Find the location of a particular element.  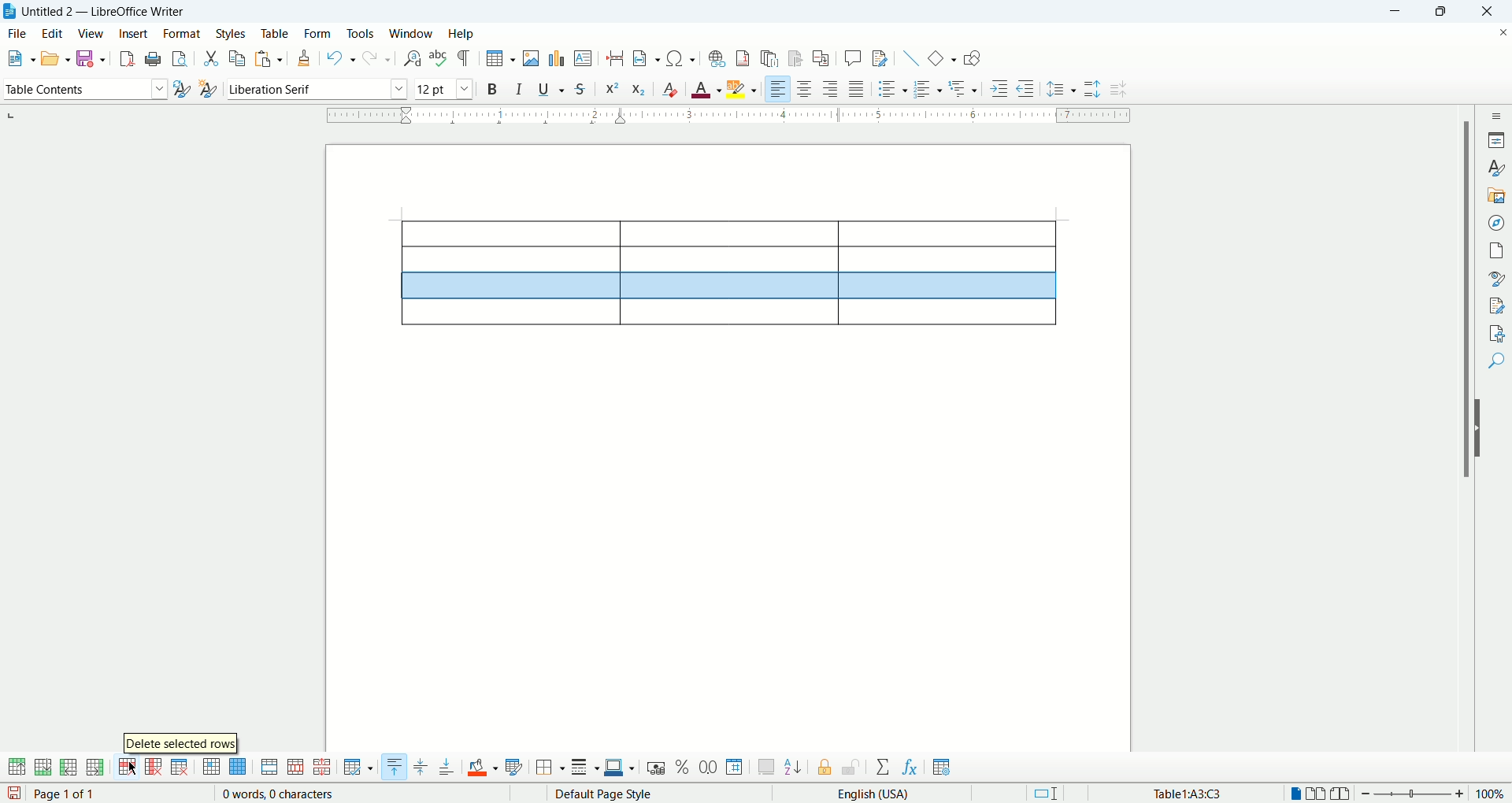

border style is located at coordinates (586, 769).